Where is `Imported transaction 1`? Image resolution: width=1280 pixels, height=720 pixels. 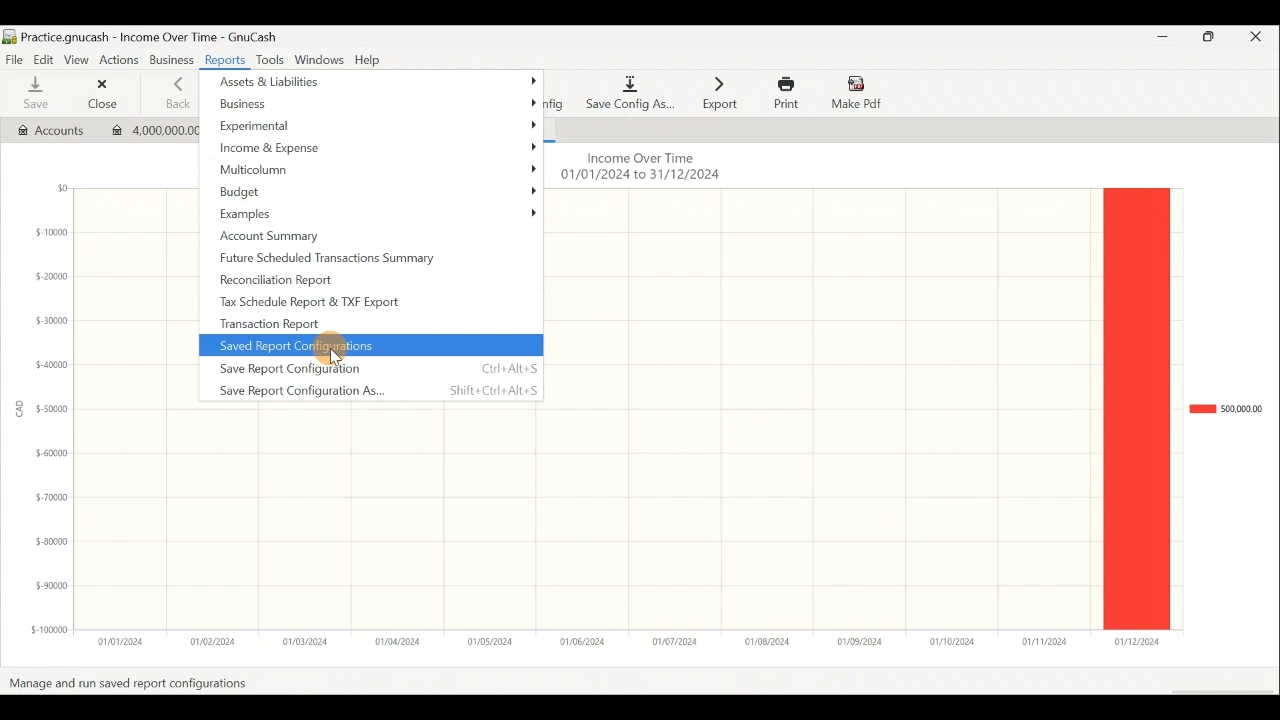
Imported transaction 1 is located at coordinates (154, 133).